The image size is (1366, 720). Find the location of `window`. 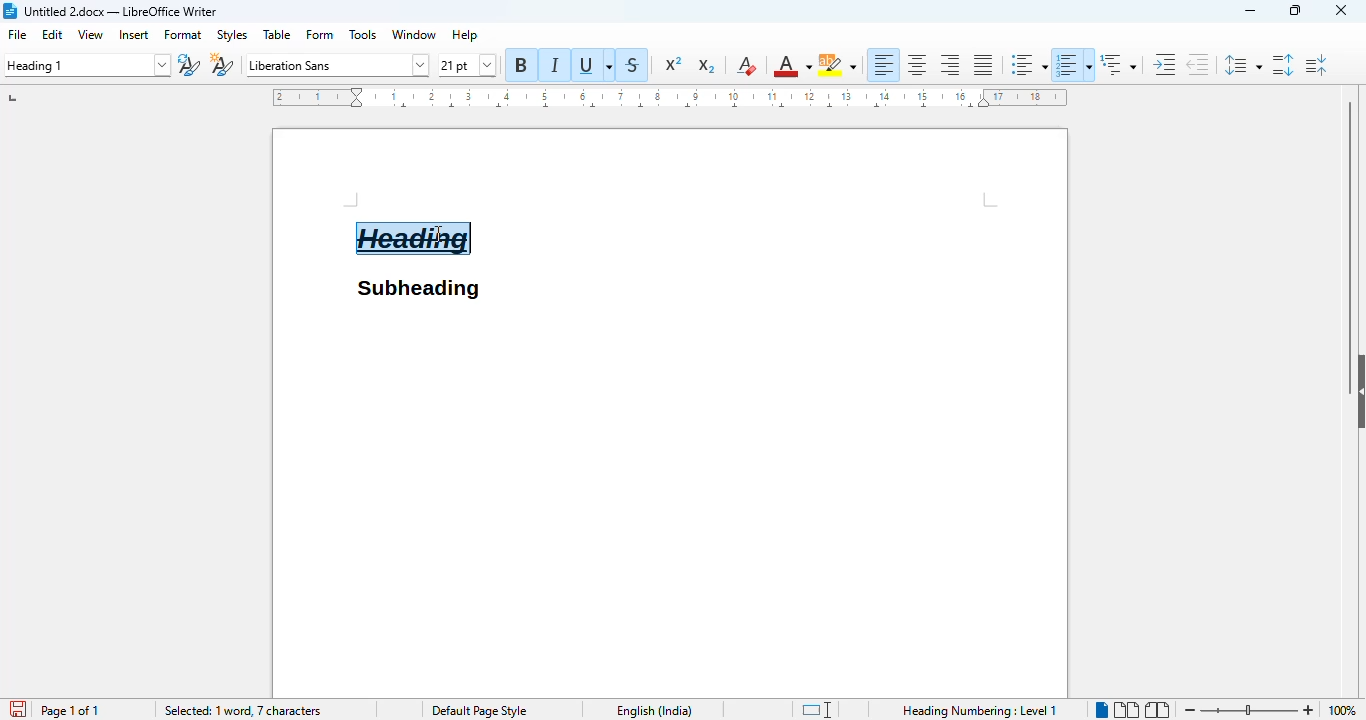

window is located at coordinates (414, 34).